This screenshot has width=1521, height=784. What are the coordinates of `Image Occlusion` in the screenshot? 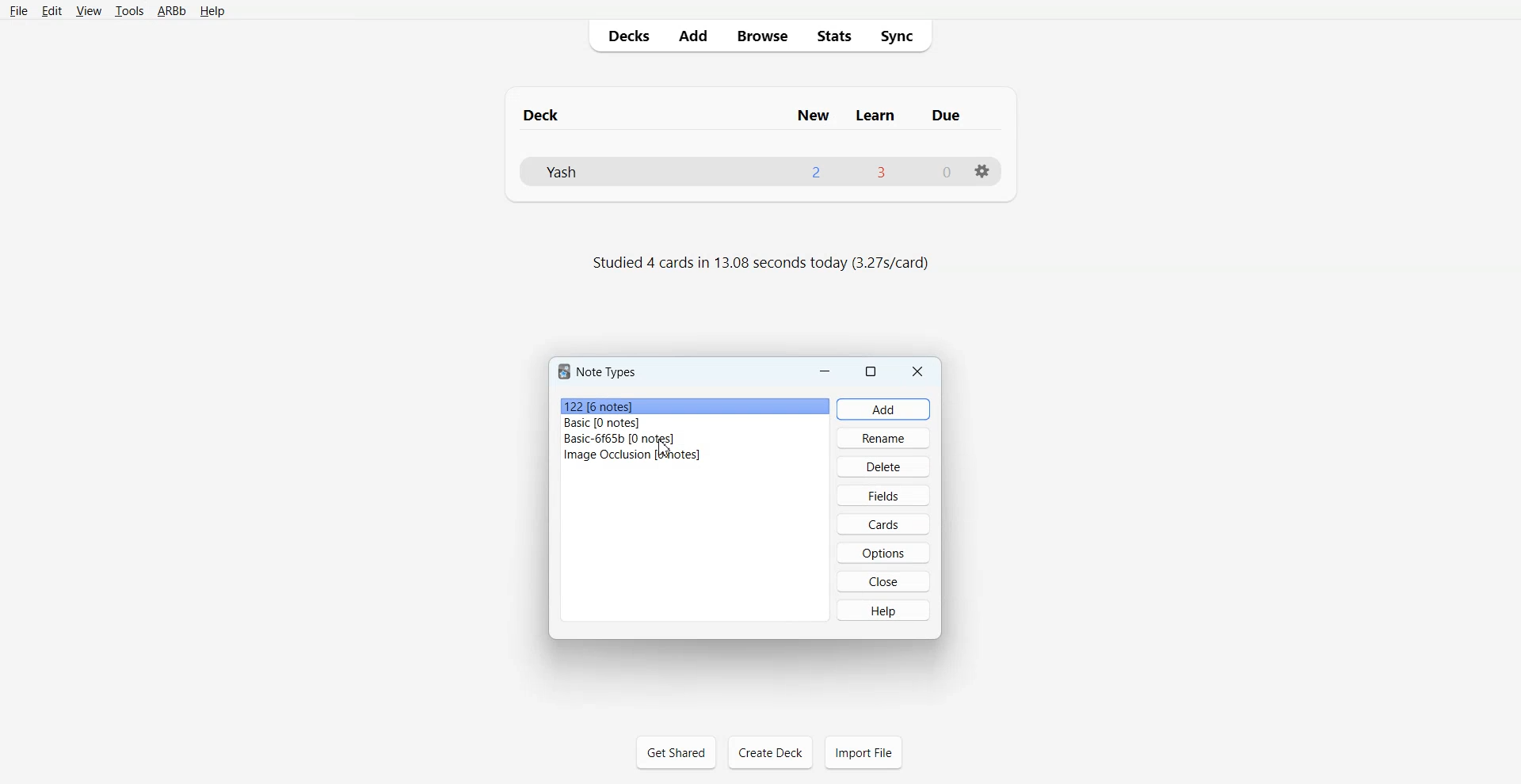 It's located at (695, 455).